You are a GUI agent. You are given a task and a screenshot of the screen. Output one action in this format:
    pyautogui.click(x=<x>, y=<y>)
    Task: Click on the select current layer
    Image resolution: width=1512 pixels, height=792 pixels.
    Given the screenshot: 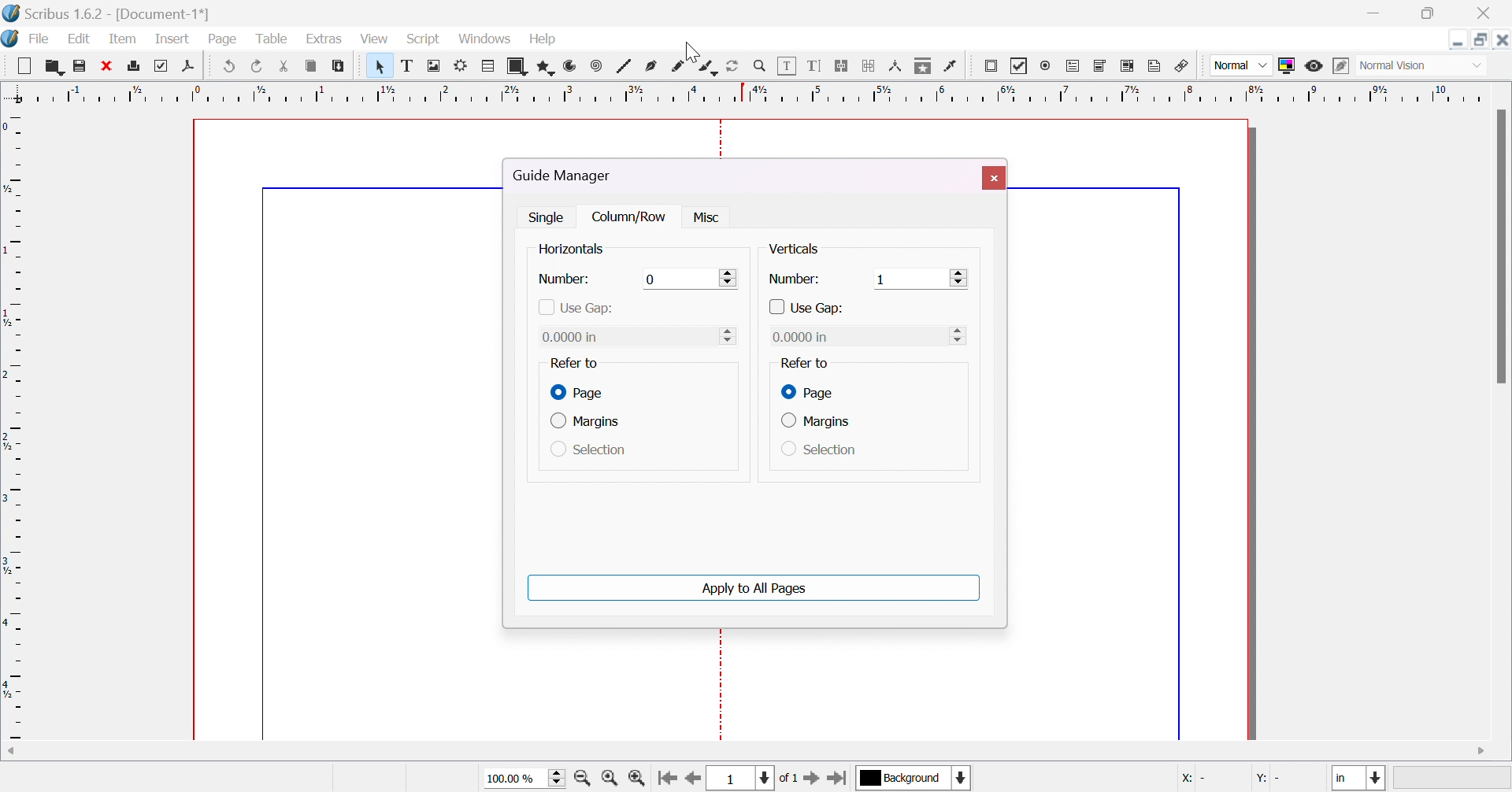 What is the action you would take?
    pyautogui.click(x=902, y=778)
    